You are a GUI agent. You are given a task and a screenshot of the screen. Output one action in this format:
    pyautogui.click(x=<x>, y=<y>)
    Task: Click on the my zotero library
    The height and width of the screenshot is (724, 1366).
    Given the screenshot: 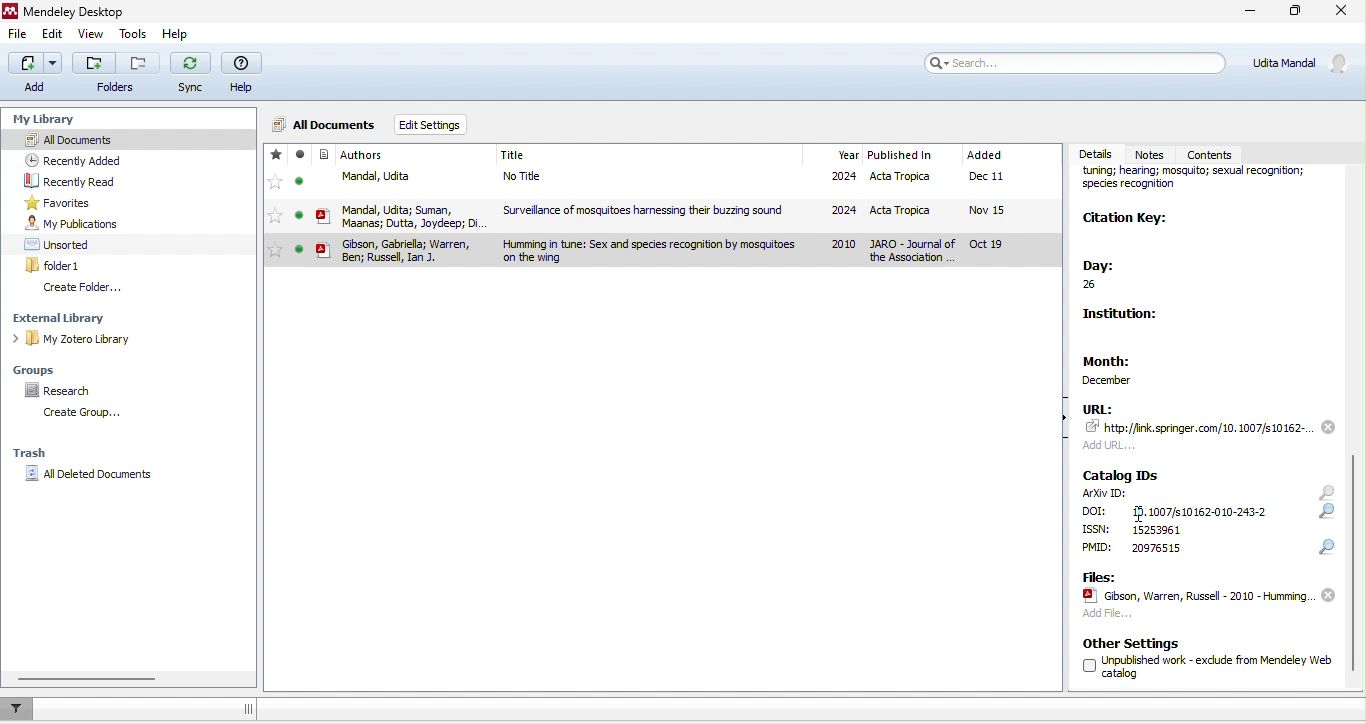 What is the action you would take?
    pyautogui.click(x=76, y=340)
    